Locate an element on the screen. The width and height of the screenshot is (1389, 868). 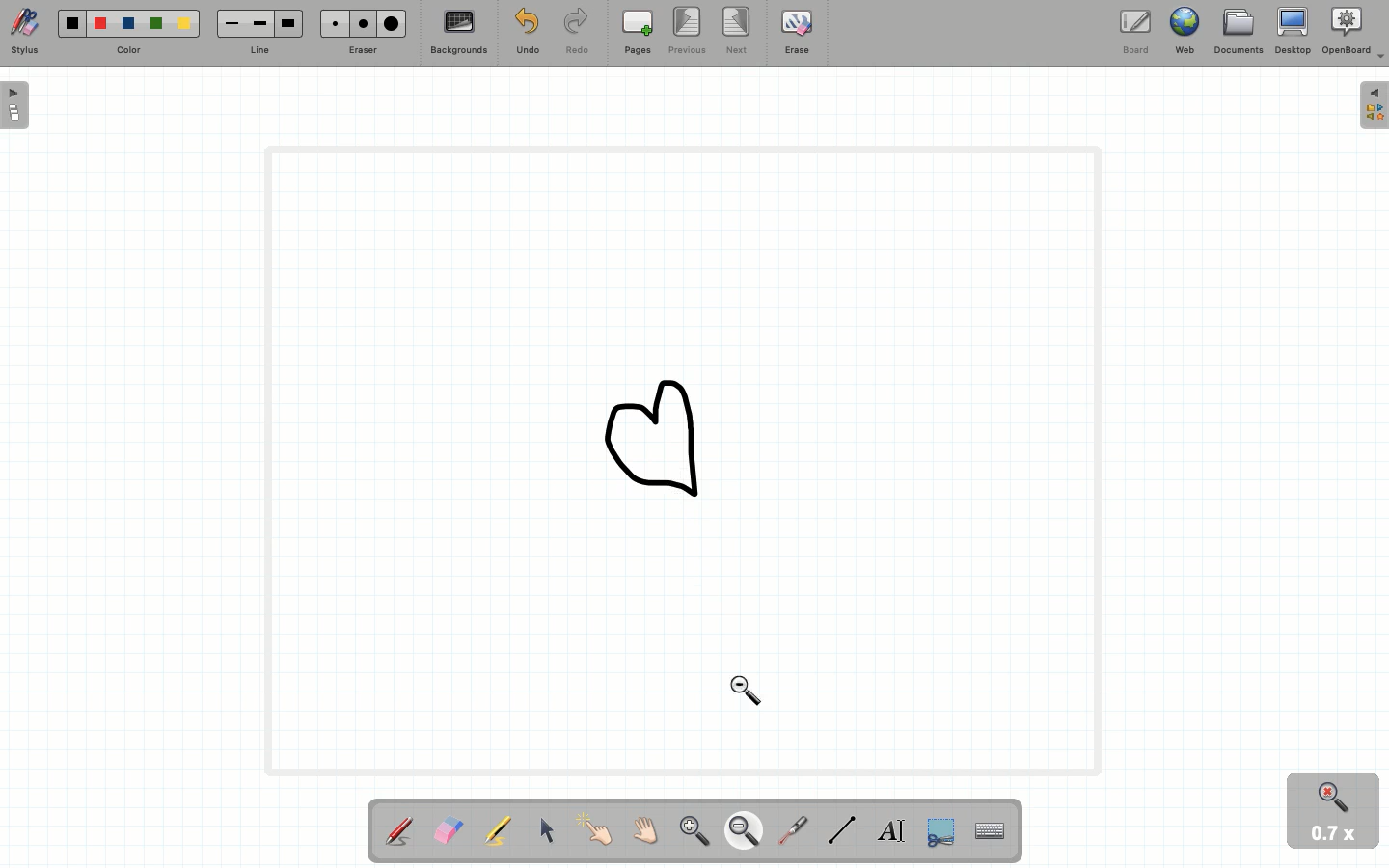
cursor is located at coordinates (749, 692).